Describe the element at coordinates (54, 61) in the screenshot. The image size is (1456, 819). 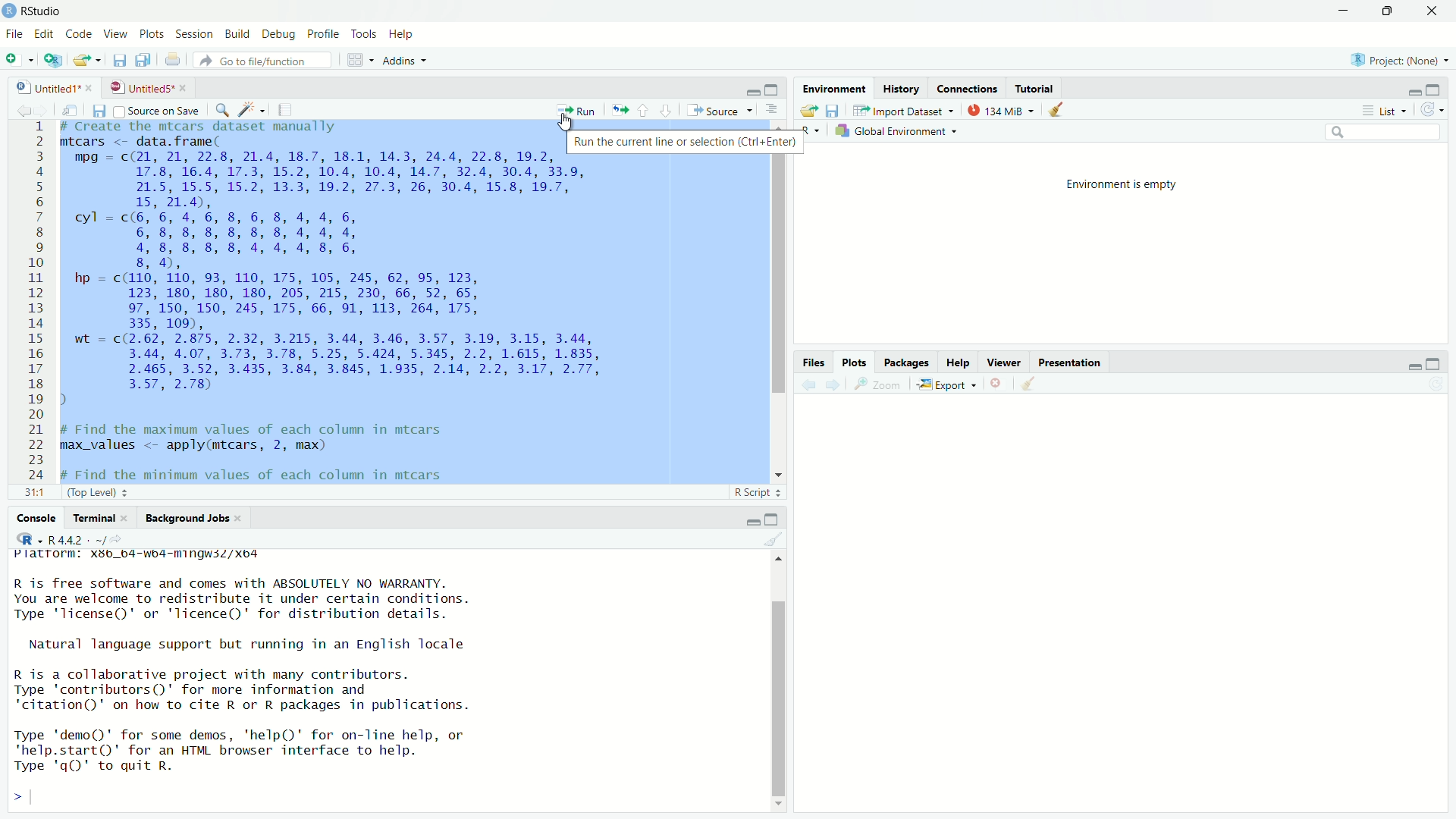
I see `add script` at that location.